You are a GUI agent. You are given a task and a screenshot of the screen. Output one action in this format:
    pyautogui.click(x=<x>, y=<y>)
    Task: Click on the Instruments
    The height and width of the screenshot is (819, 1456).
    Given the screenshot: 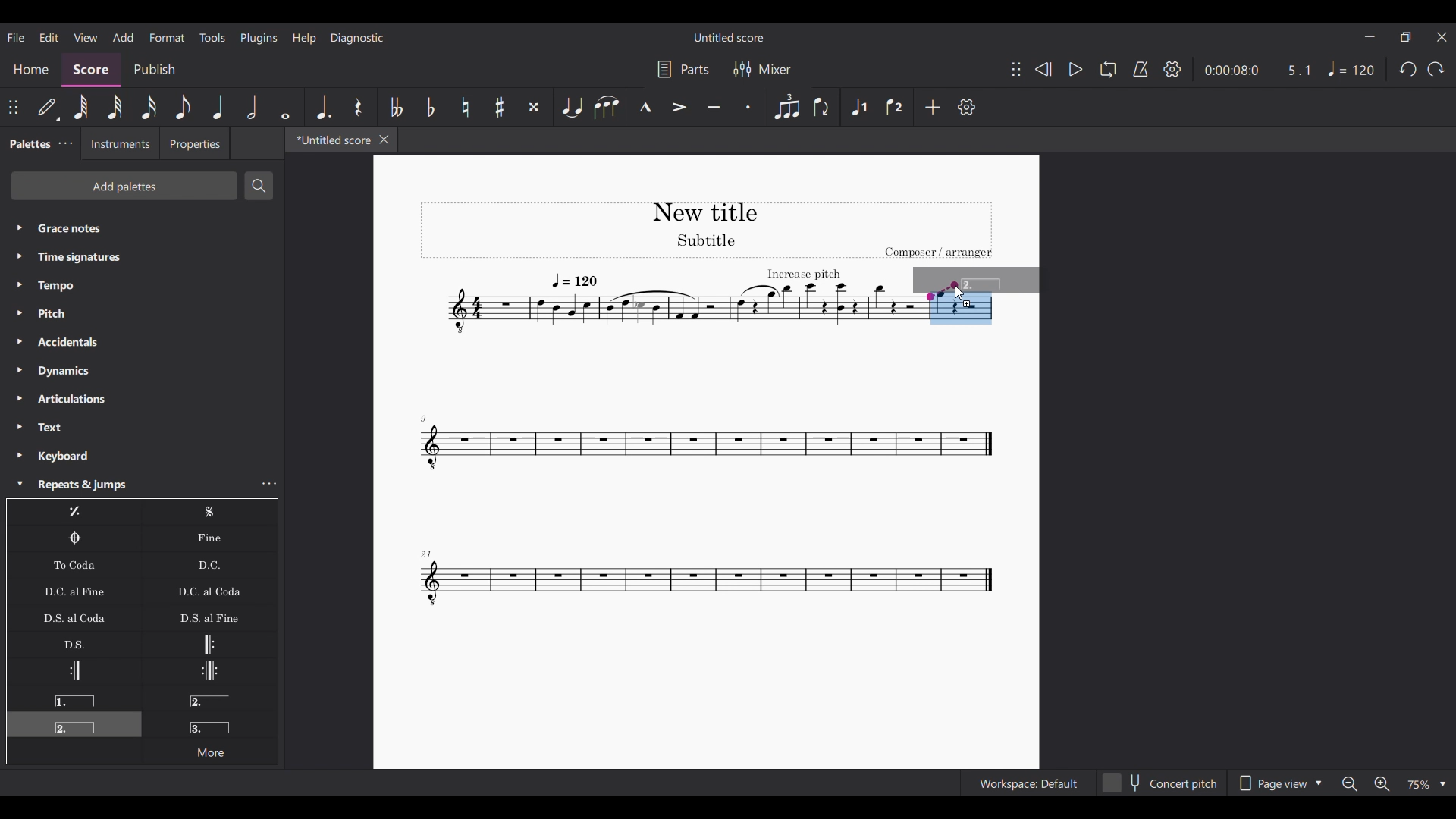 What is the action you would take?
    pyautogui.click(x=120, y=143)
    